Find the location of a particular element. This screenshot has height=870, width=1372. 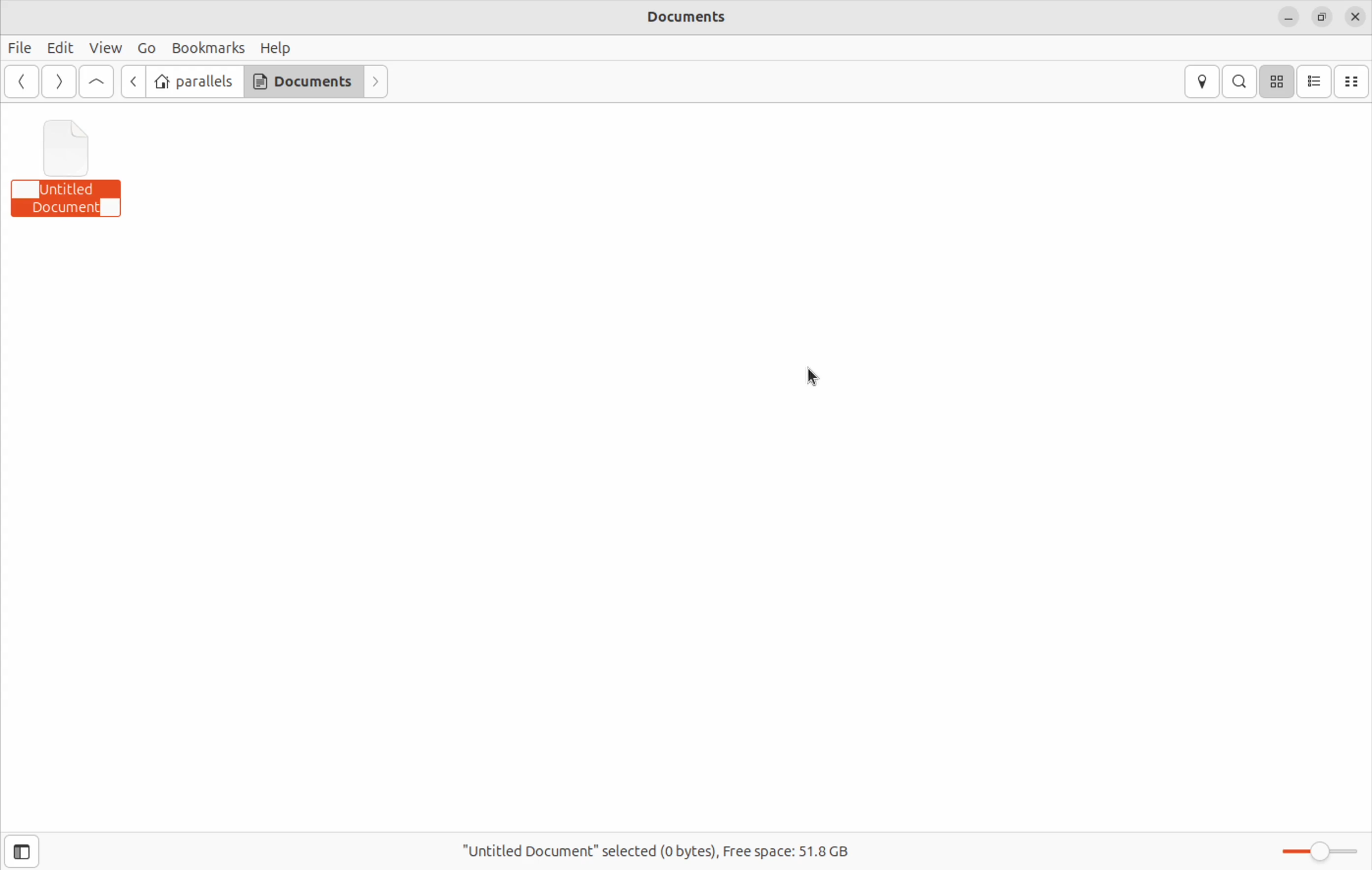

close is located at coordinates (1356, 17).